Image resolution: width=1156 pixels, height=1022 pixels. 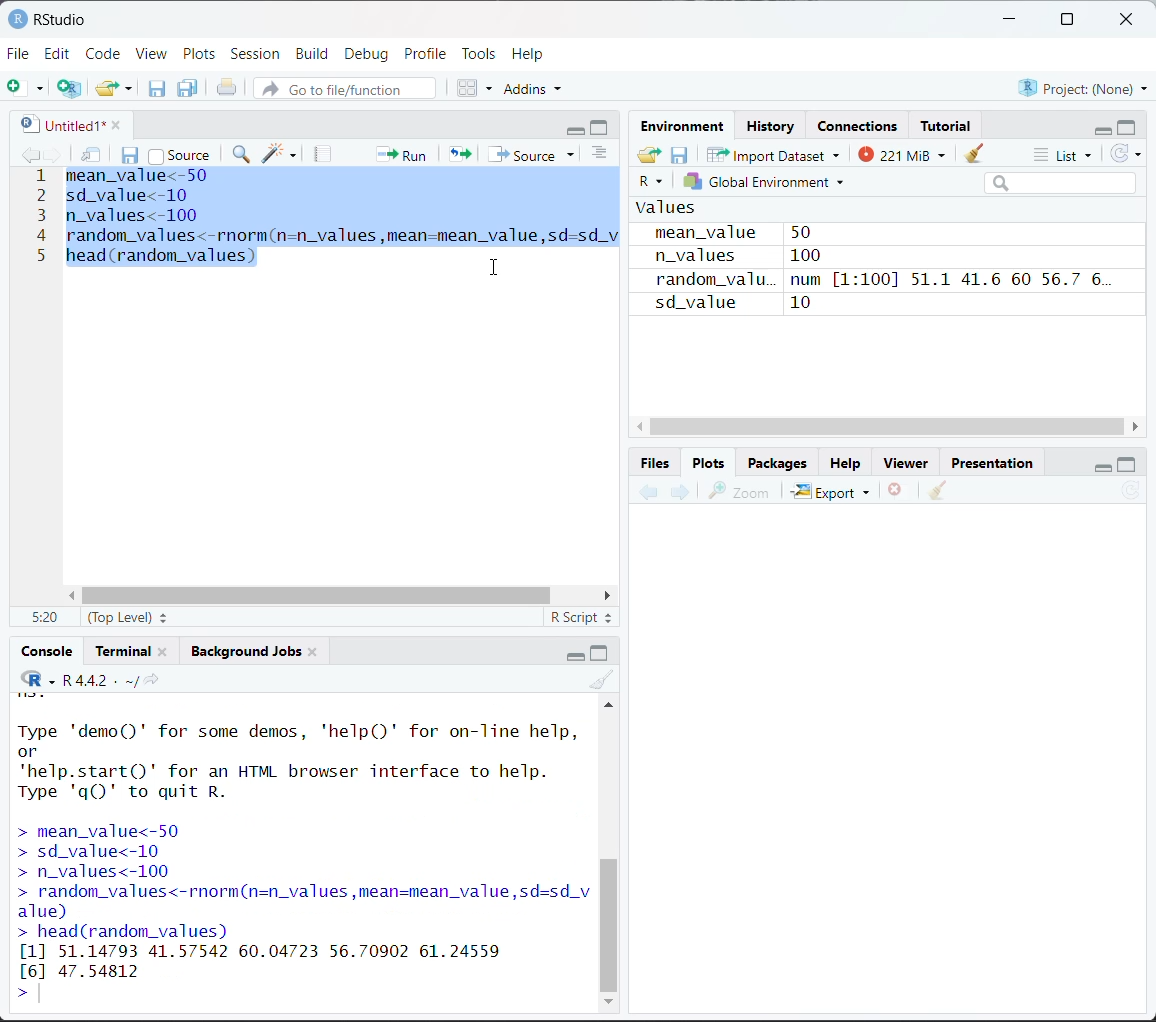 I want to click on load workspace, so click(x=652, y=157).